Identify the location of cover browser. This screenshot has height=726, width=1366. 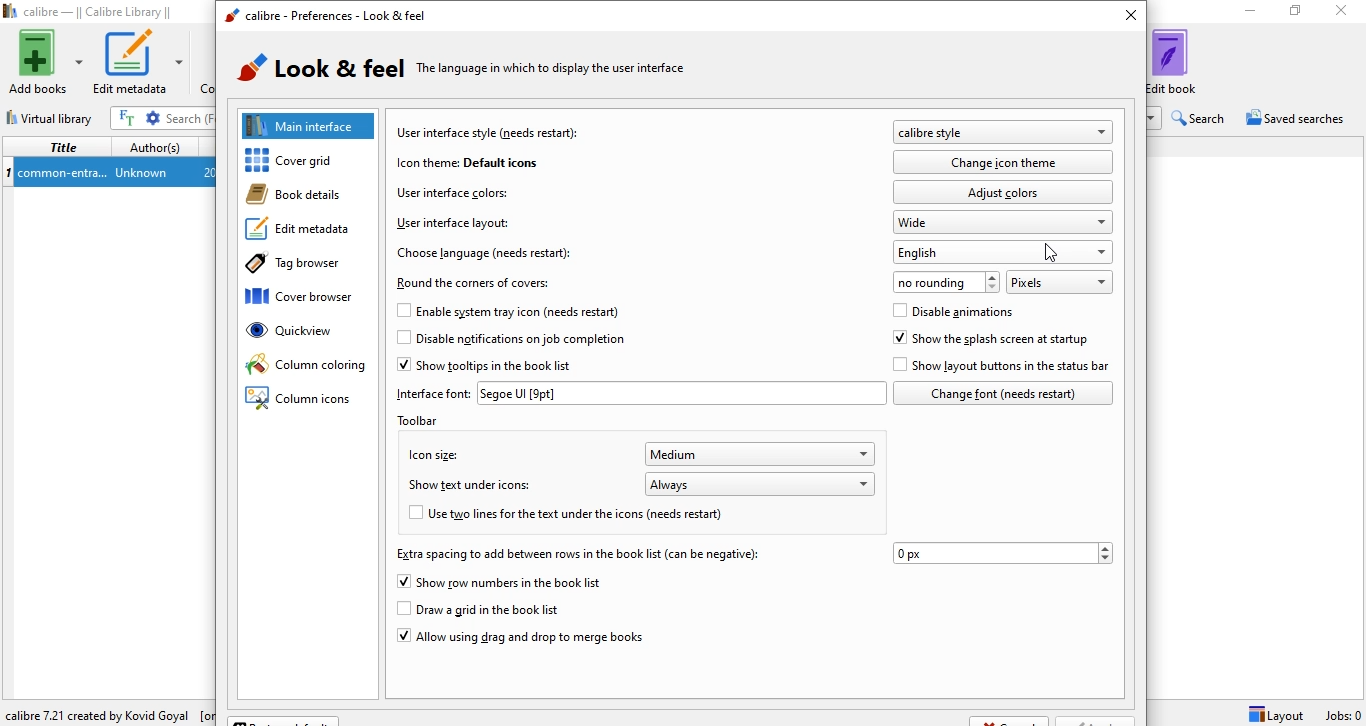
(309, 299).